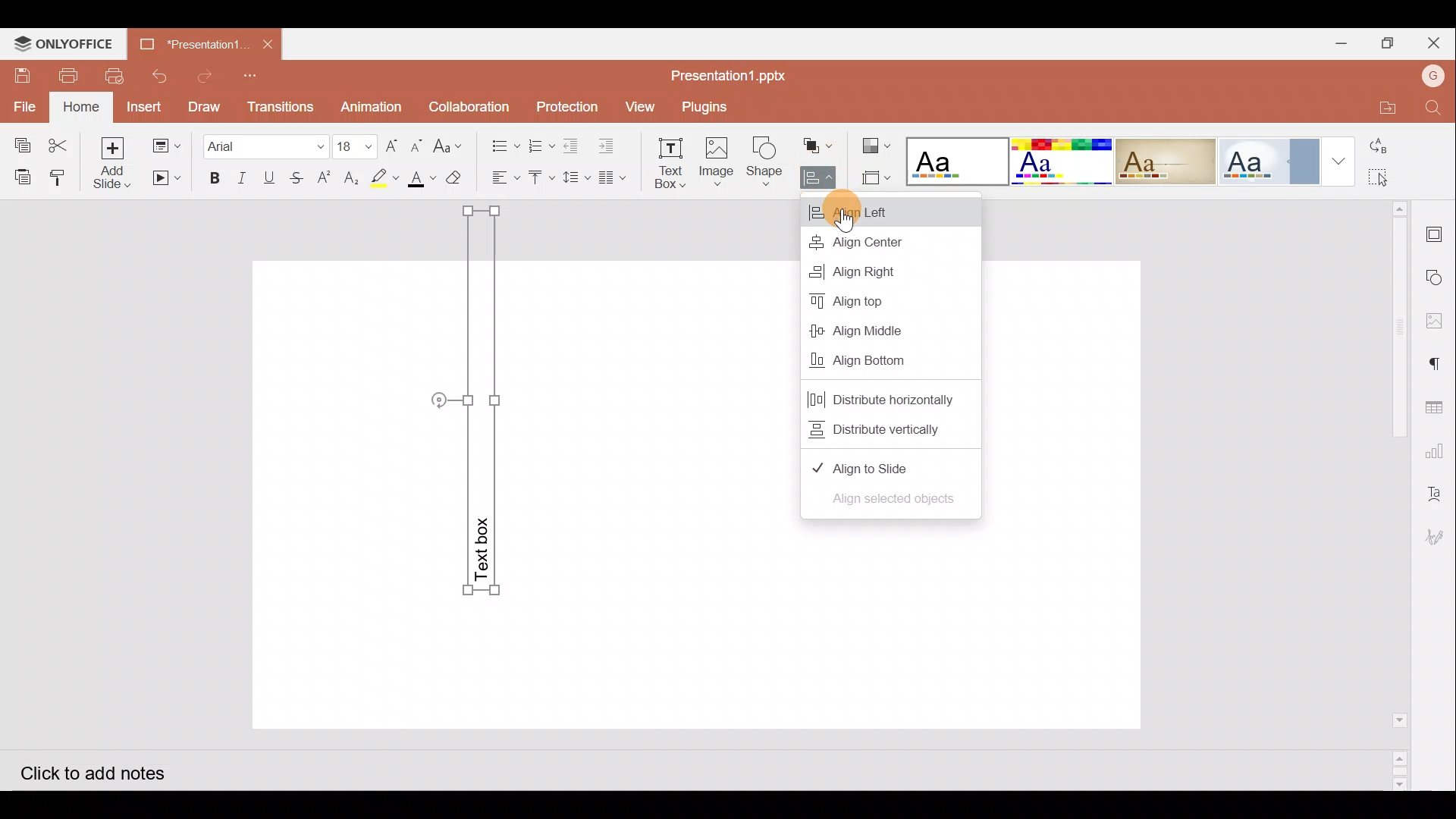  I want to click on Font color, so click(419, 179).